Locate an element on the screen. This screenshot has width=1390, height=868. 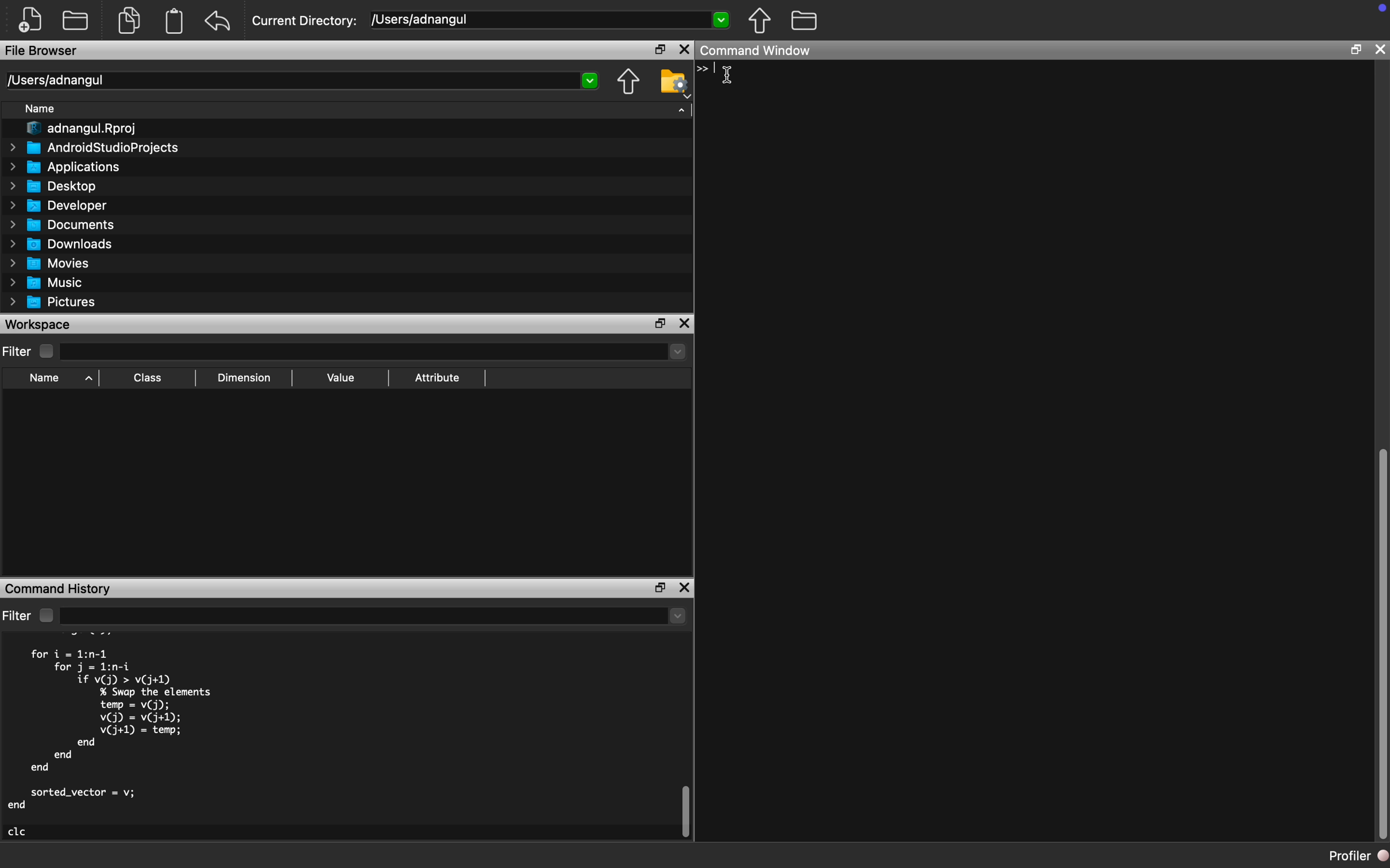
Scroll is located at coordinates (1380, 455).